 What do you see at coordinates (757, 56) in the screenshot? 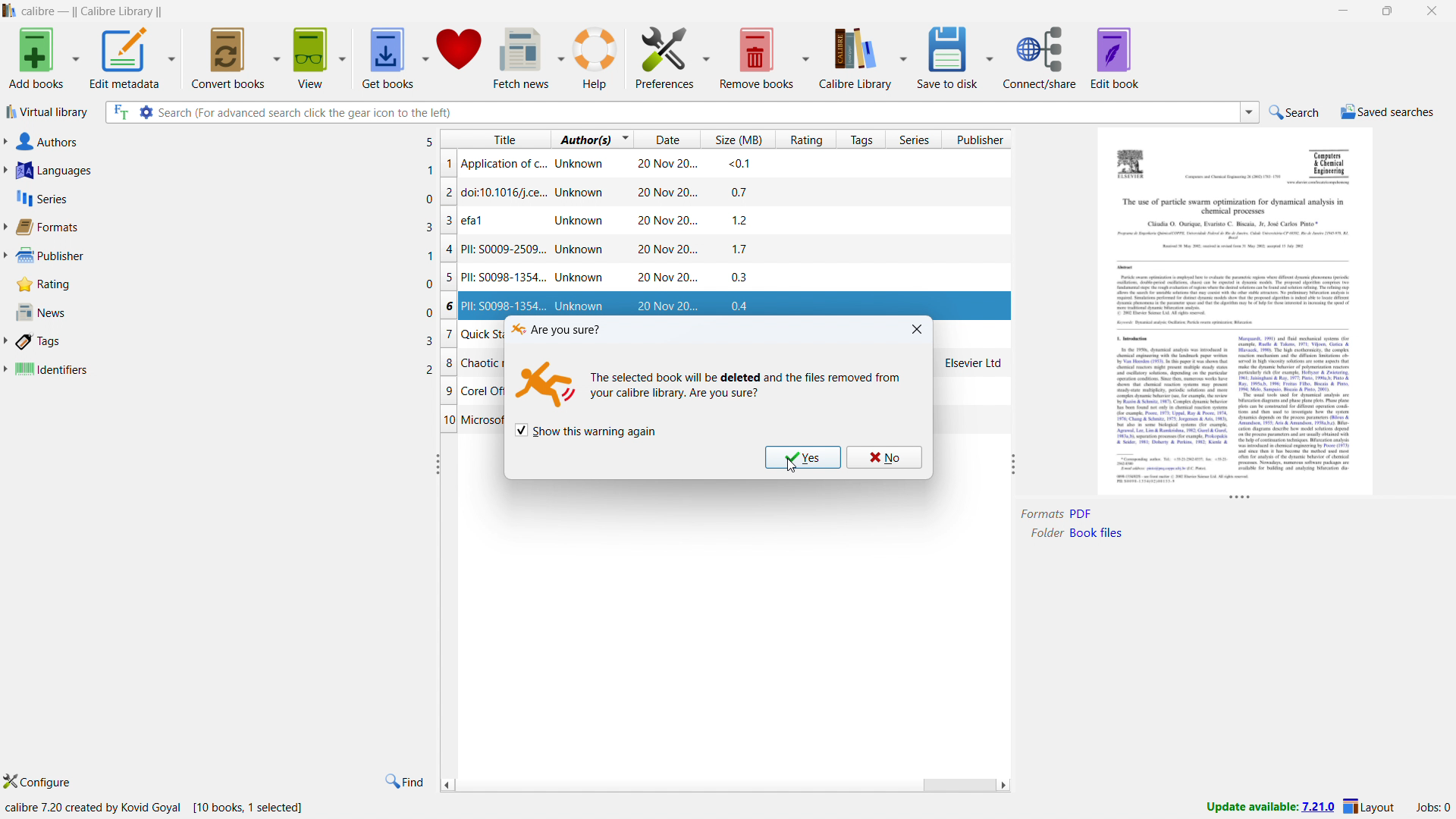
I see `remove books` at bounding box center [757, 56].